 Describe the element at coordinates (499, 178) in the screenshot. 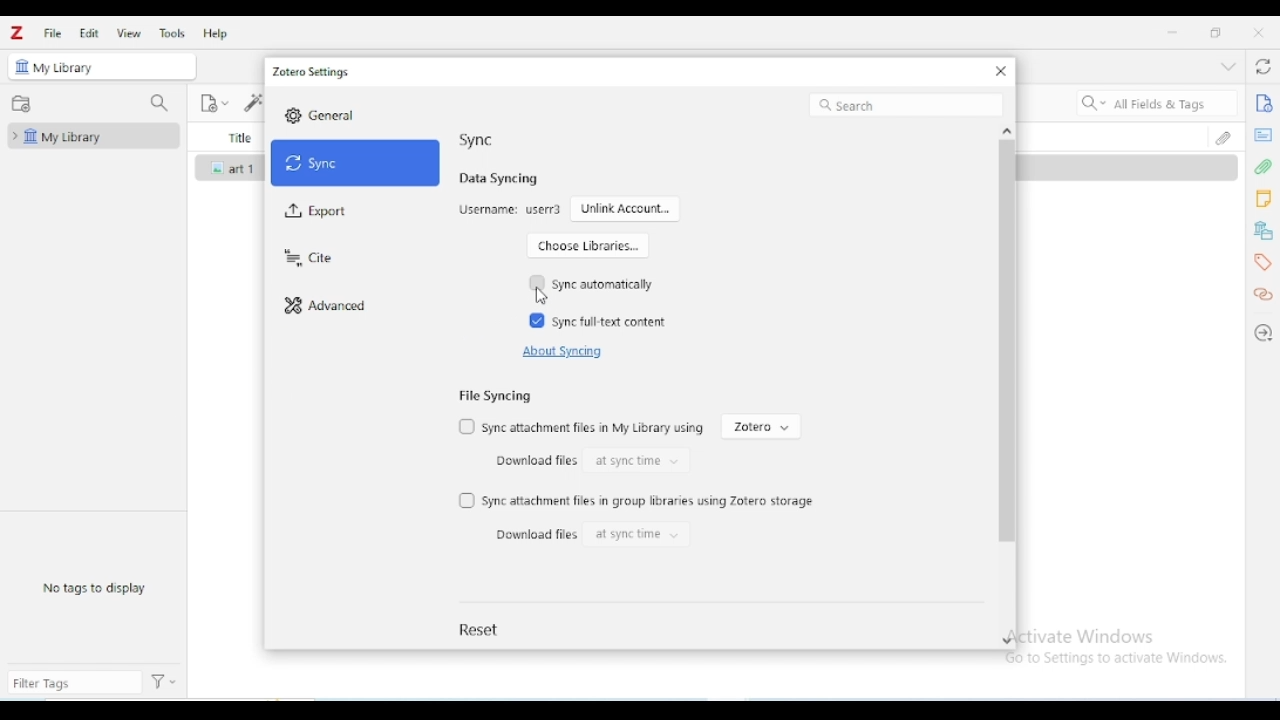

I see `data syncing` at that location.